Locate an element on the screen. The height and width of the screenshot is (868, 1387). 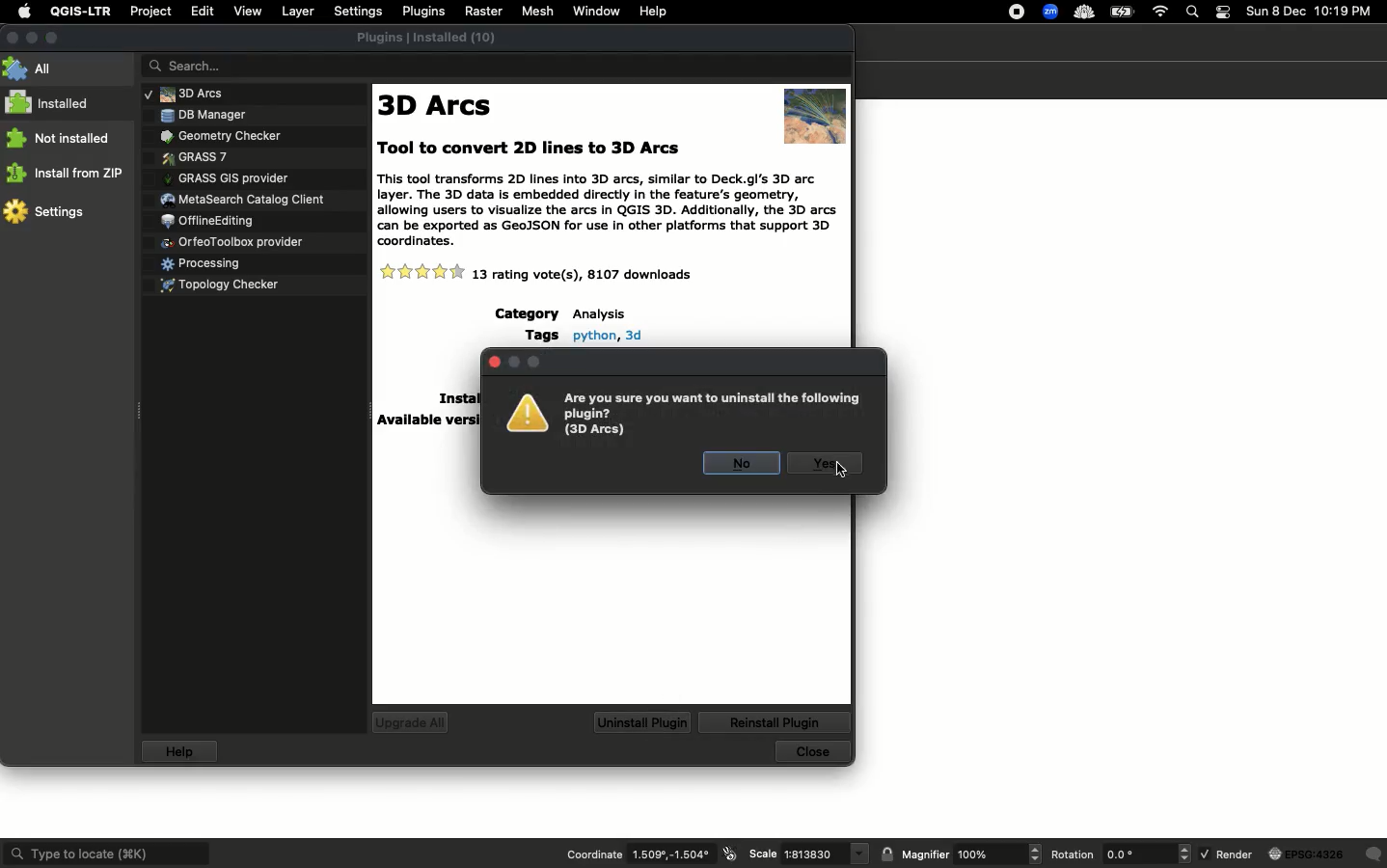
Coordinate is located at coordinates (650, 854).